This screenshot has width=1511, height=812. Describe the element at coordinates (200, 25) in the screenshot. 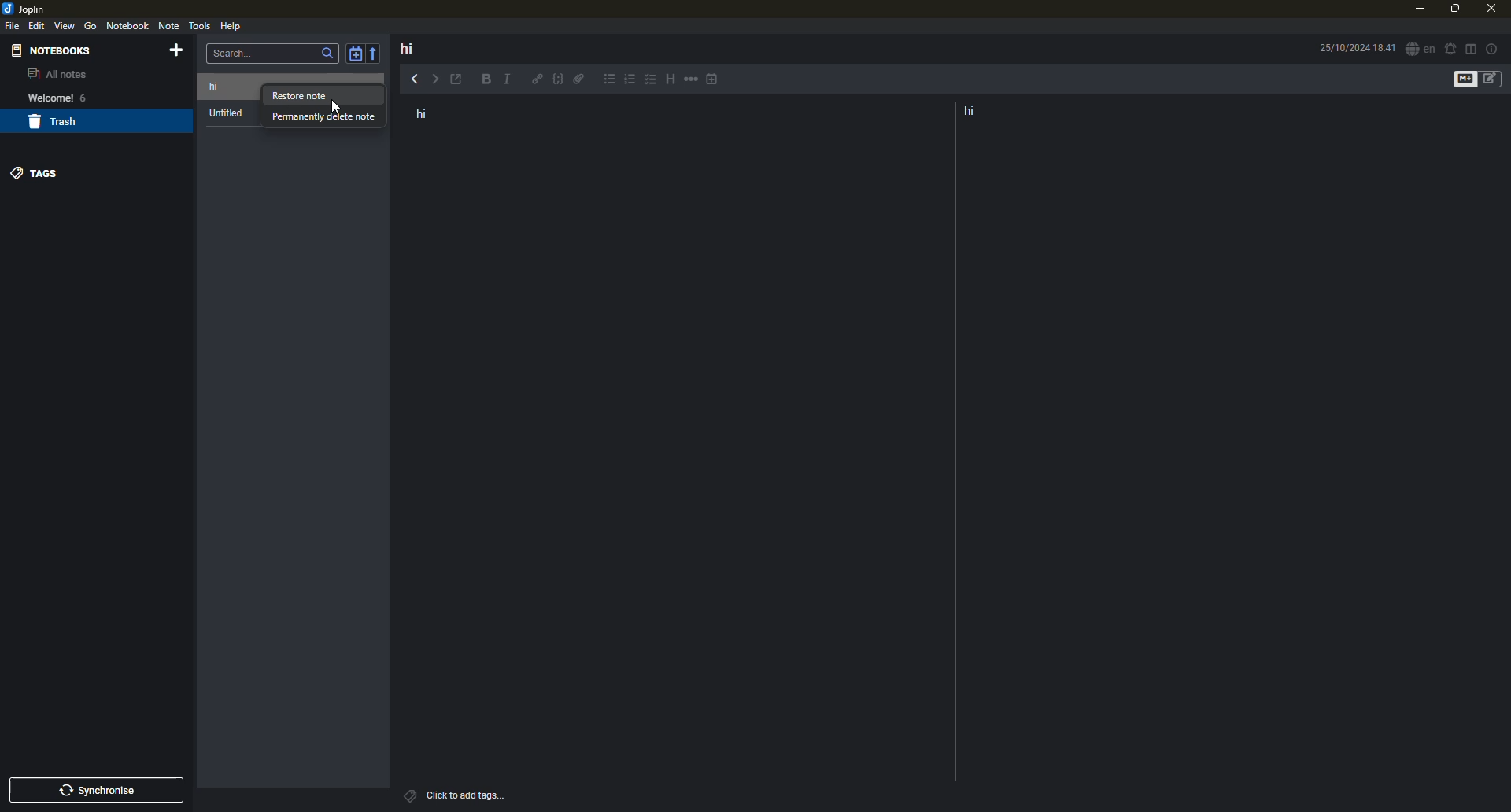

I see `tools` at that location.